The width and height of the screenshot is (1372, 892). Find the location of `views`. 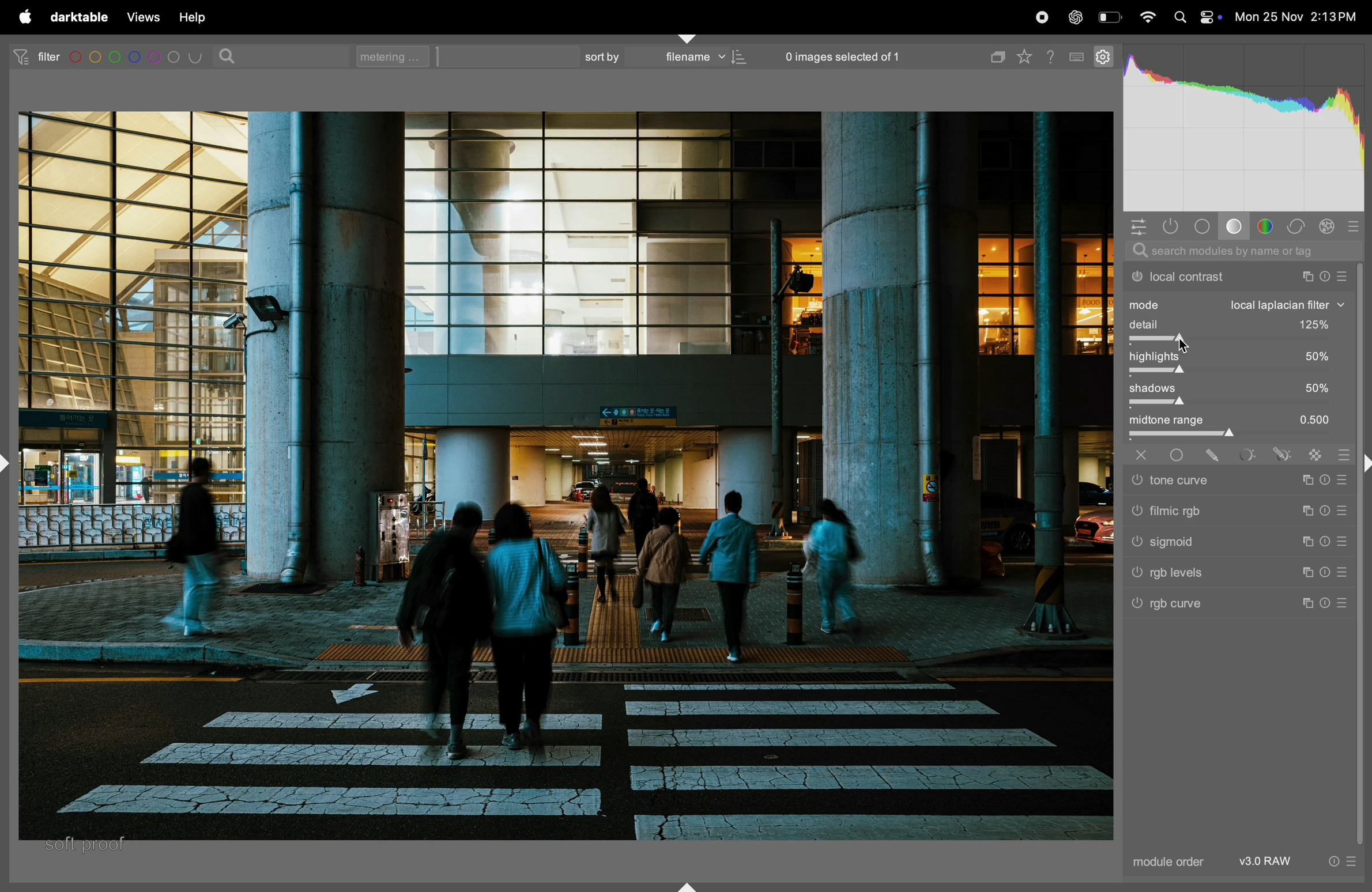

views is located at coordinates (141, 17).